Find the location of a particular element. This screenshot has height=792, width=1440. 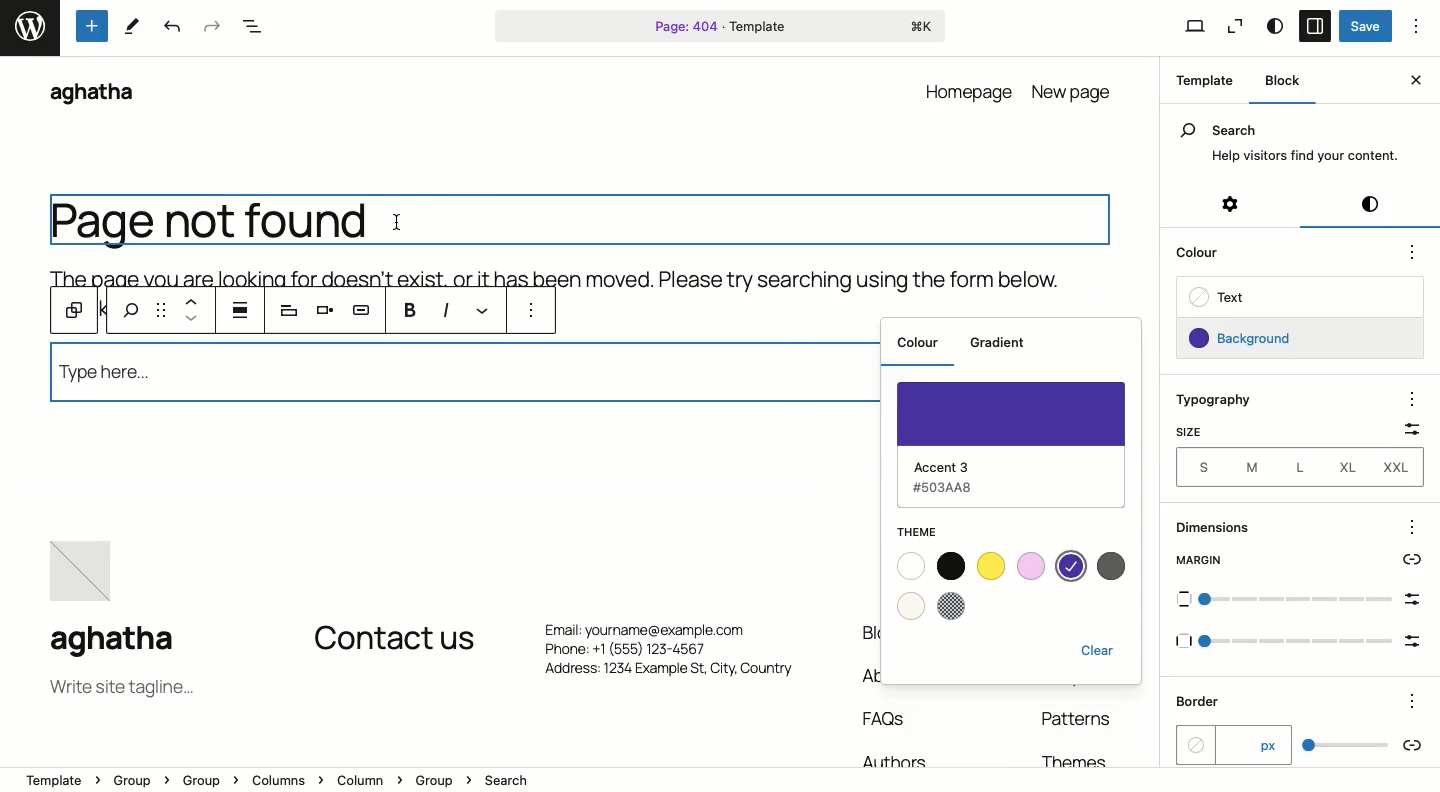

Options is located at coordinates (1422, 27).